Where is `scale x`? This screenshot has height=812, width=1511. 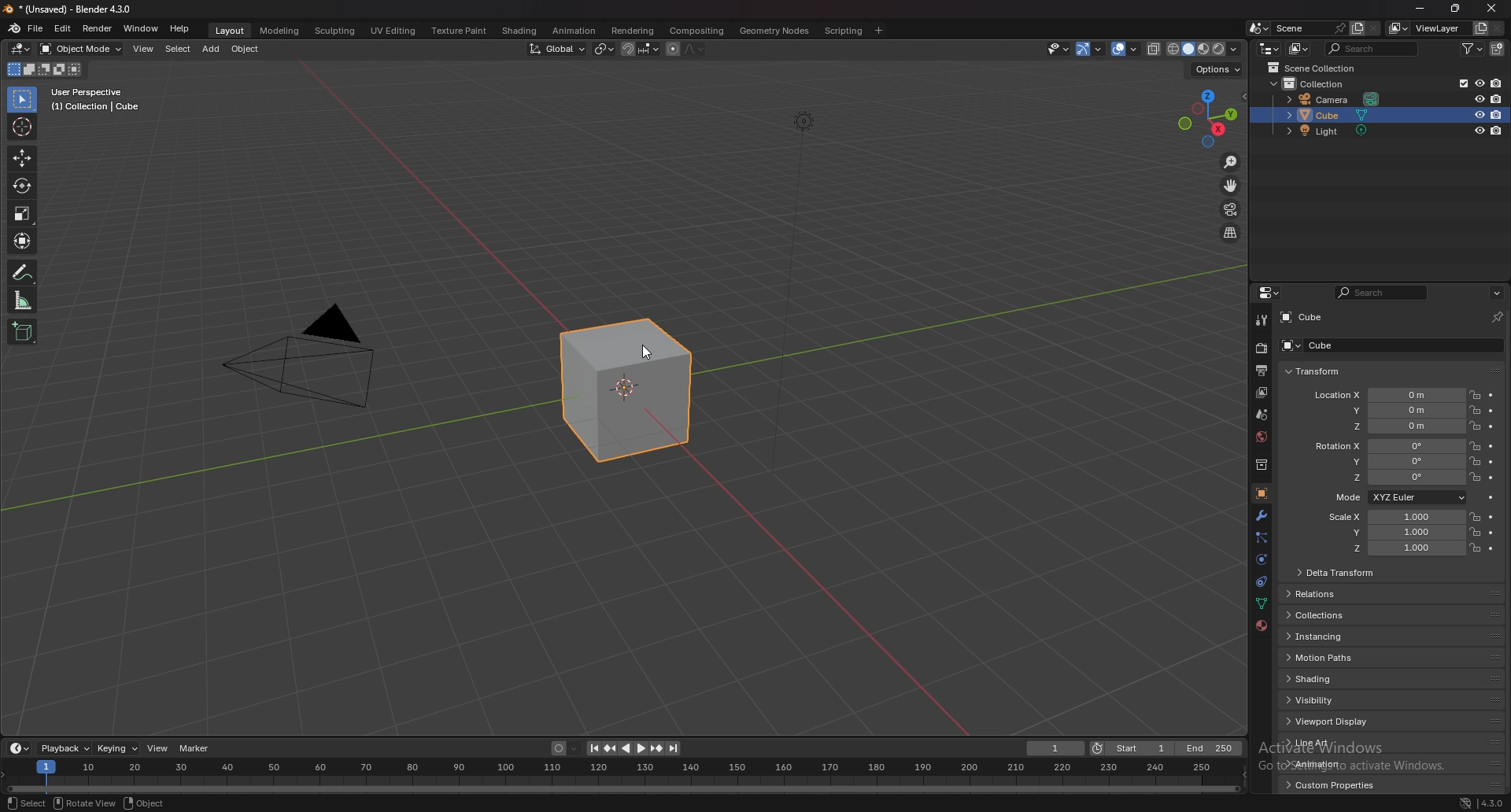
scale x is located at coordinates (1391, 517).